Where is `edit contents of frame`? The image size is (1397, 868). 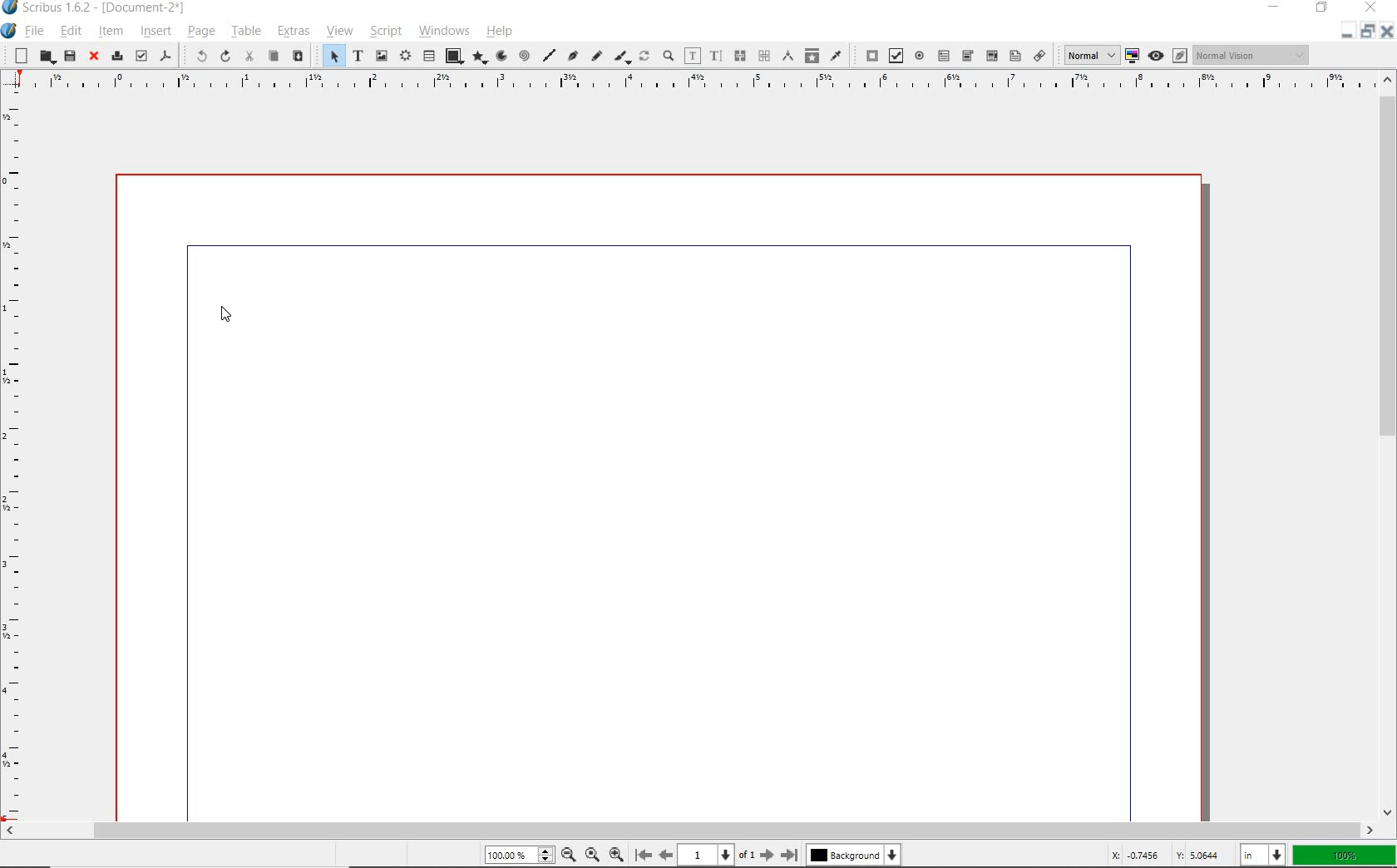
edit contents of frame is located at coordinates (692, 56).